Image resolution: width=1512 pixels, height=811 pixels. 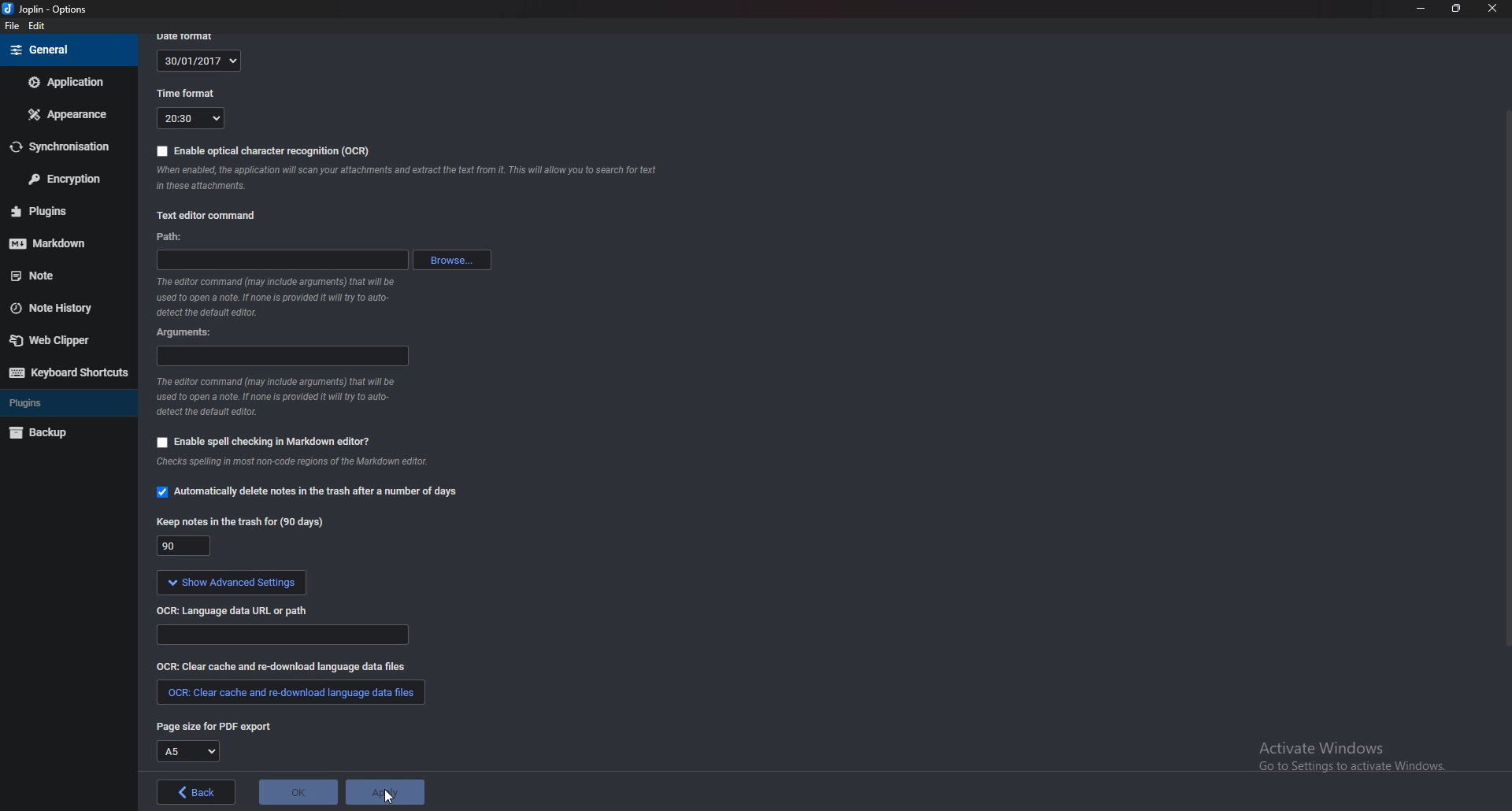 What do you see at coordinates (191, 36) in the screenshot?
I see `date format` at bounding box center [191, 36].